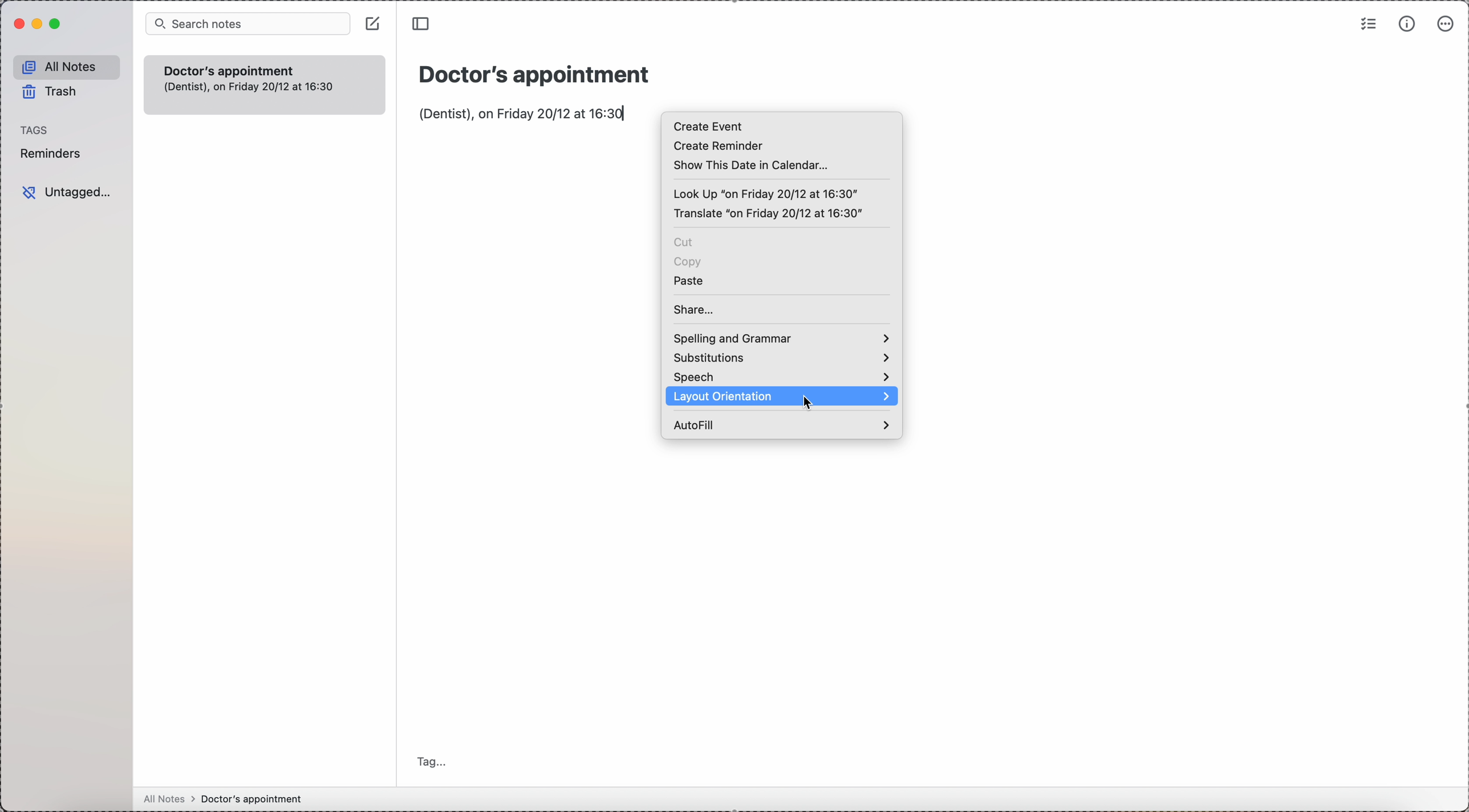 The height and width of the screenshot is (812, 1469). I want to click on share, so click(695, 310).